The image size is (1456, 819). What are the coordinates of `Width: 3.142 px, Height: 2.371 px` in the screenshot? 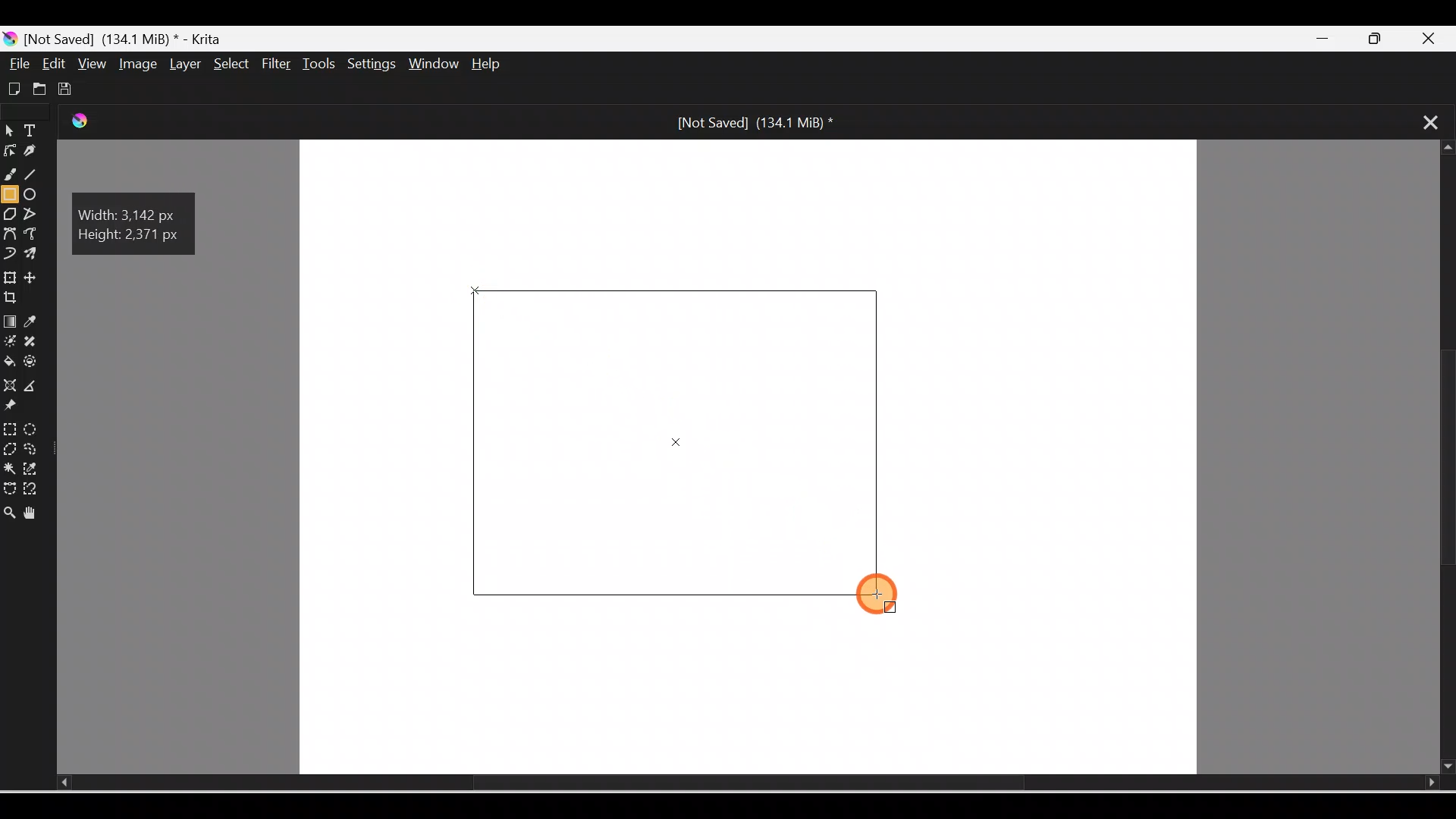 It's located at (138, 224).